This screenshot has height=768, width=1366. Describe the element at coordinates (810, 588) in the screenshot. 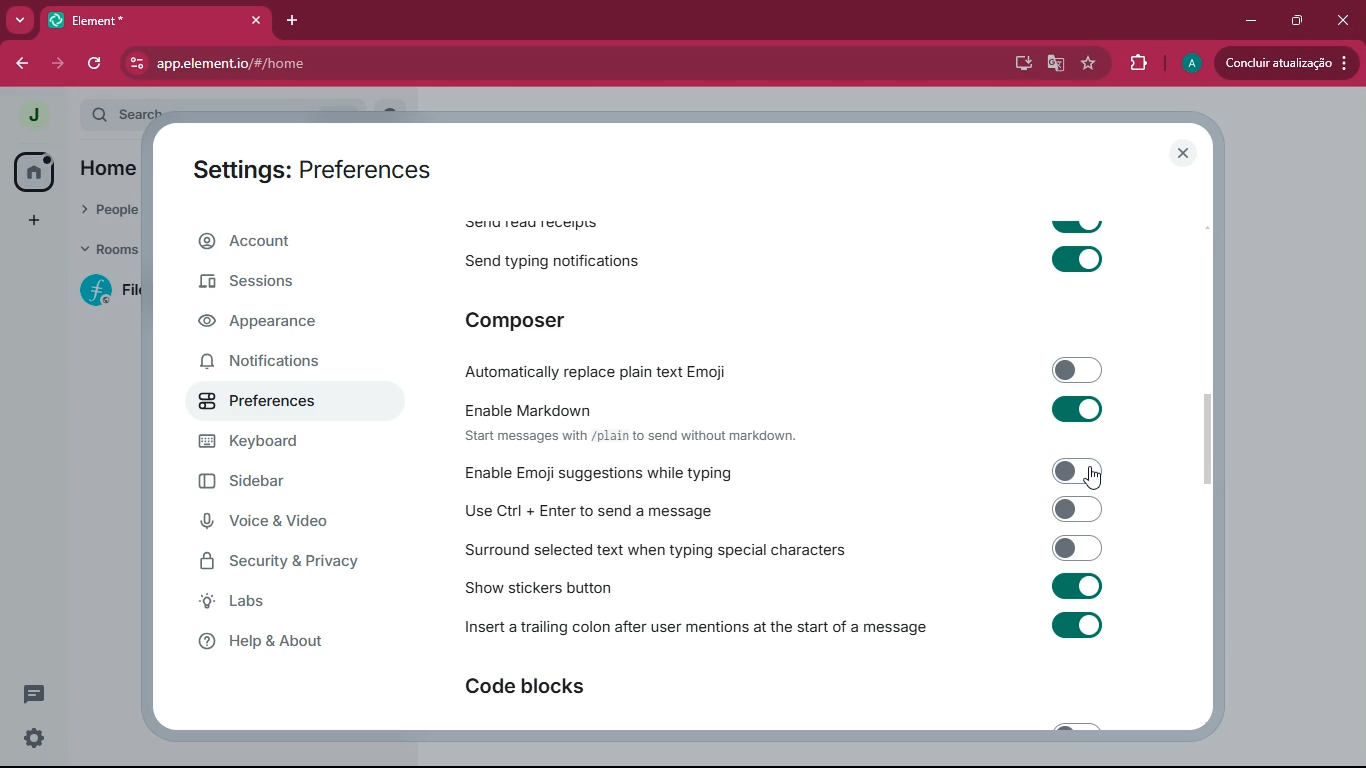

I see `show stickers` at that location.